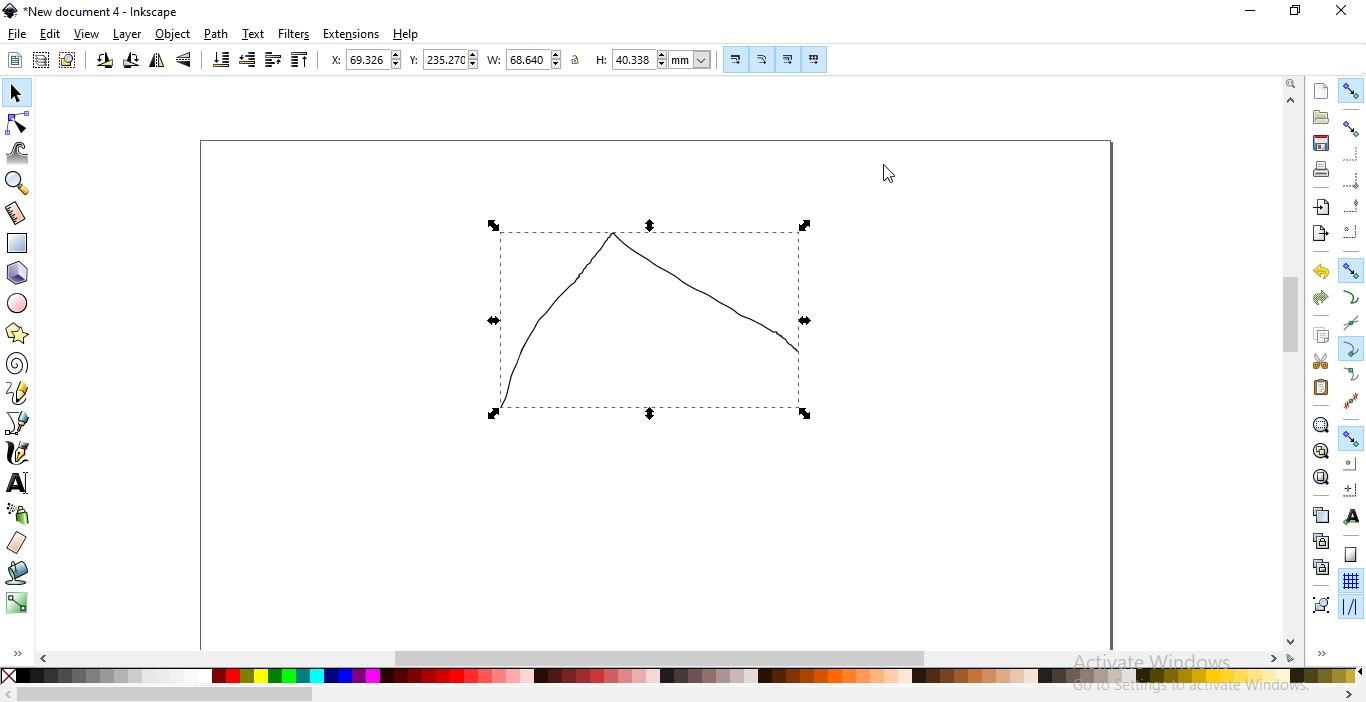  Describe the element at coordinates (1319, 234) in the screenshot. I see `export this document` at that location.